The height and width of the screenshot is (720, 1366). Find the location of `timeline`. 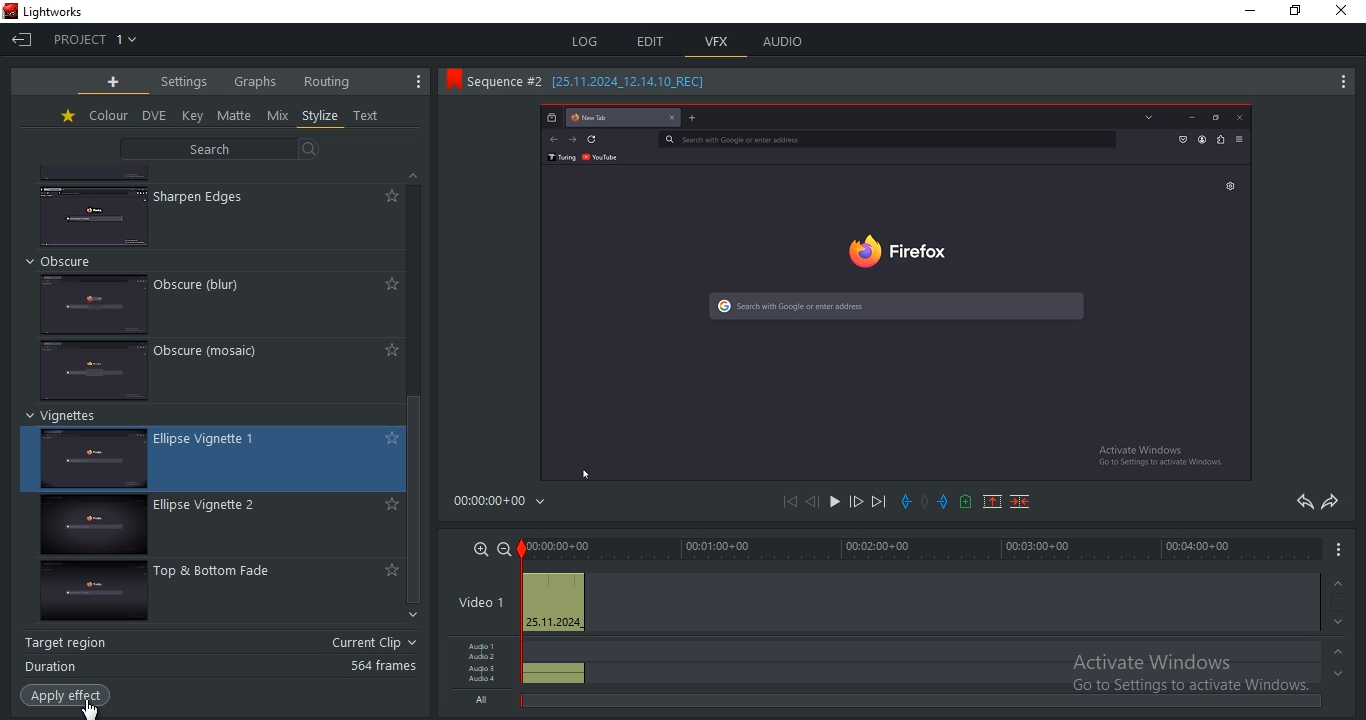

timeline is located at coordinates (921, 548).